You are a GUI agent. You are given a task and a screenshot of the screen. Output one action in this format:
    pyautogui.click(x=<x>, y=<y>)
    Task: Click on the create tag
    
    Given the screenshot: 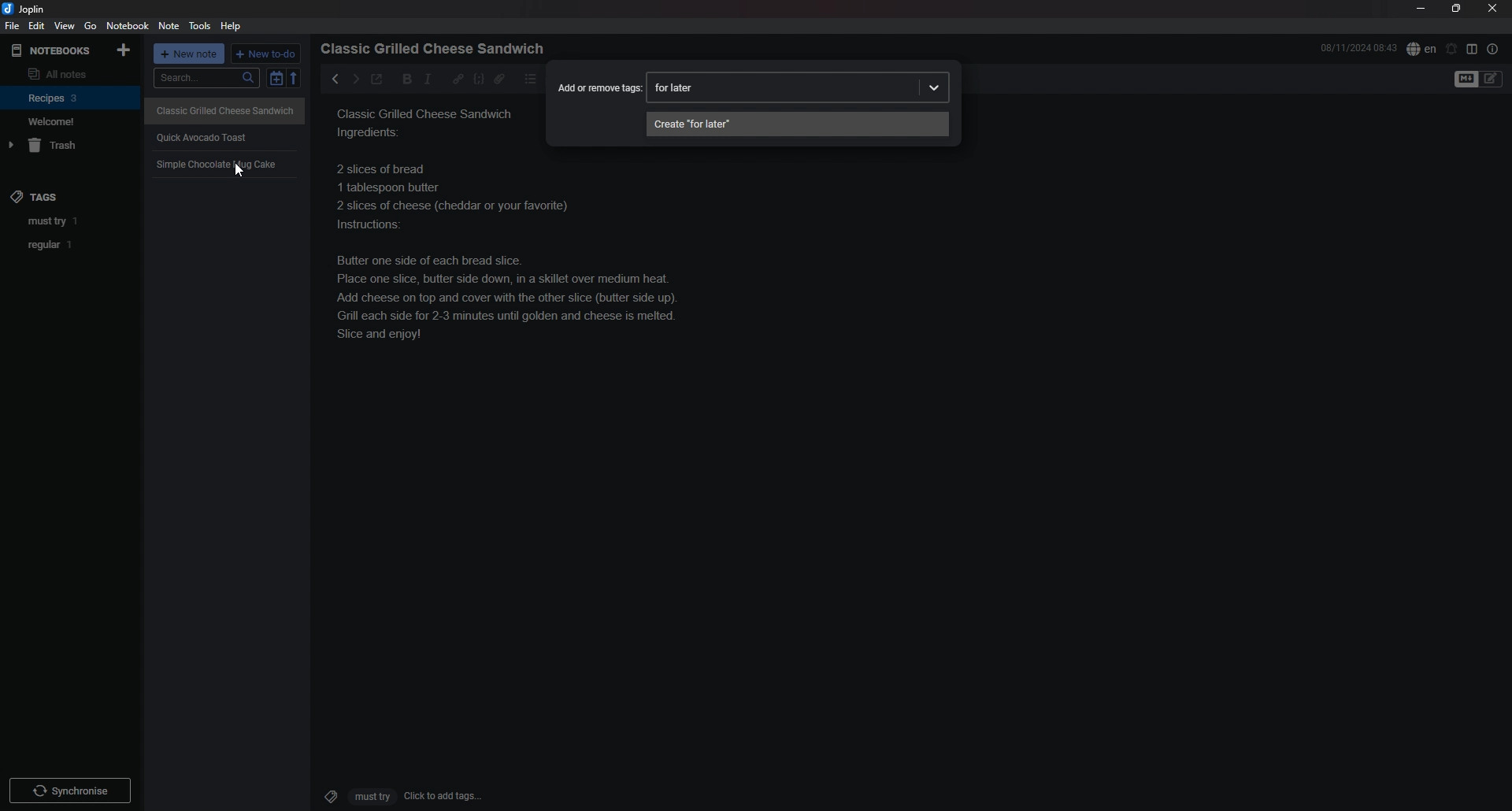 What is the action you would take?
    pyautogui.click(x=795, y=124)
    